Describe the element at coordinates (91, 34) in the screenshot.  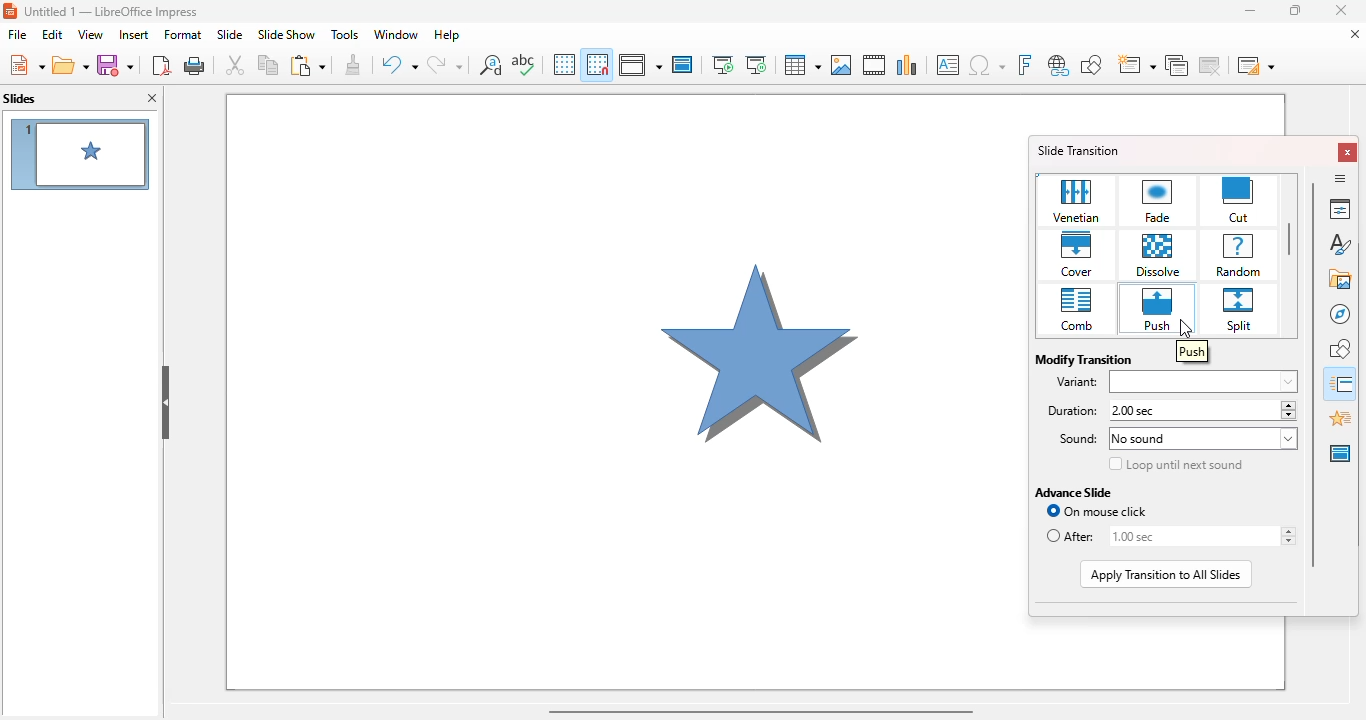
I see `view` at that location.